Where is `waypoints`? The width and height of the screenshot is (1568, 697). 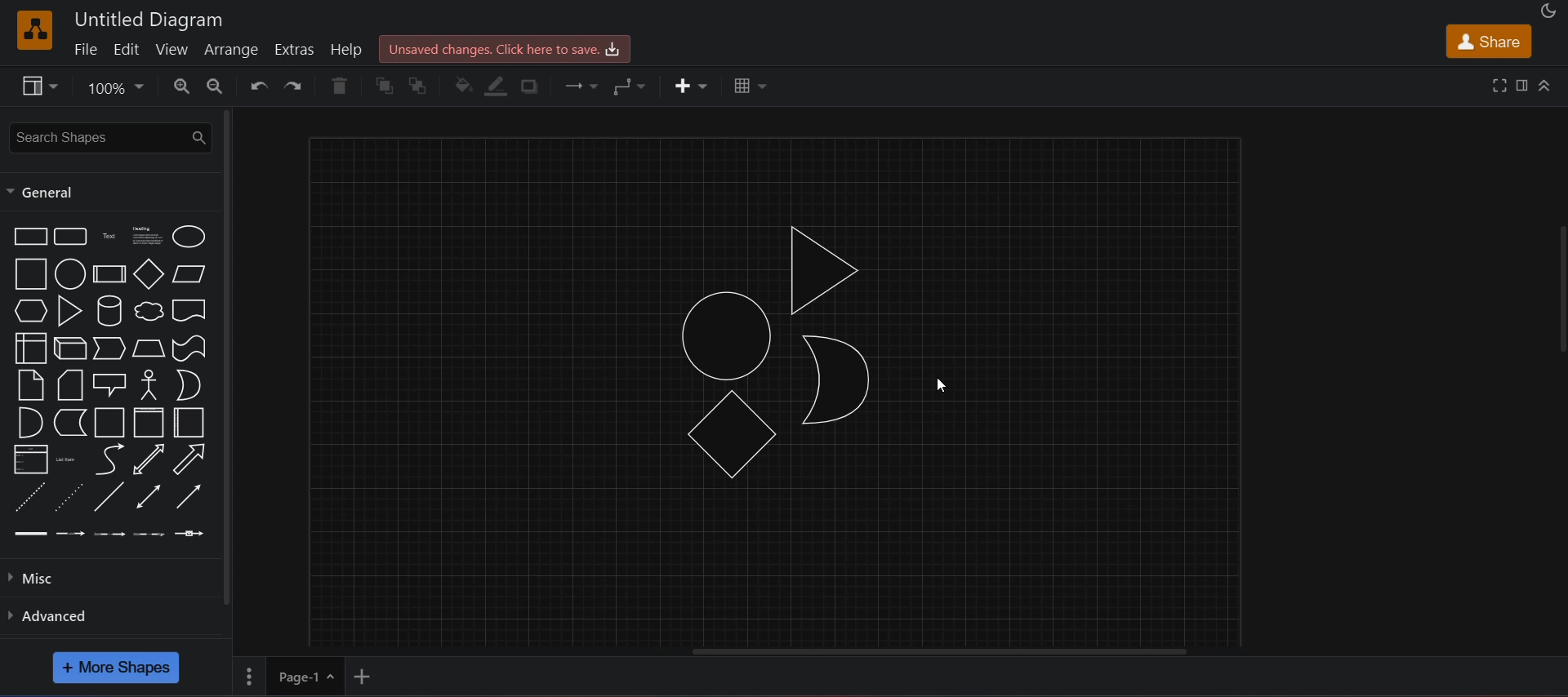
waypoints is located at coordinates (637, 87).